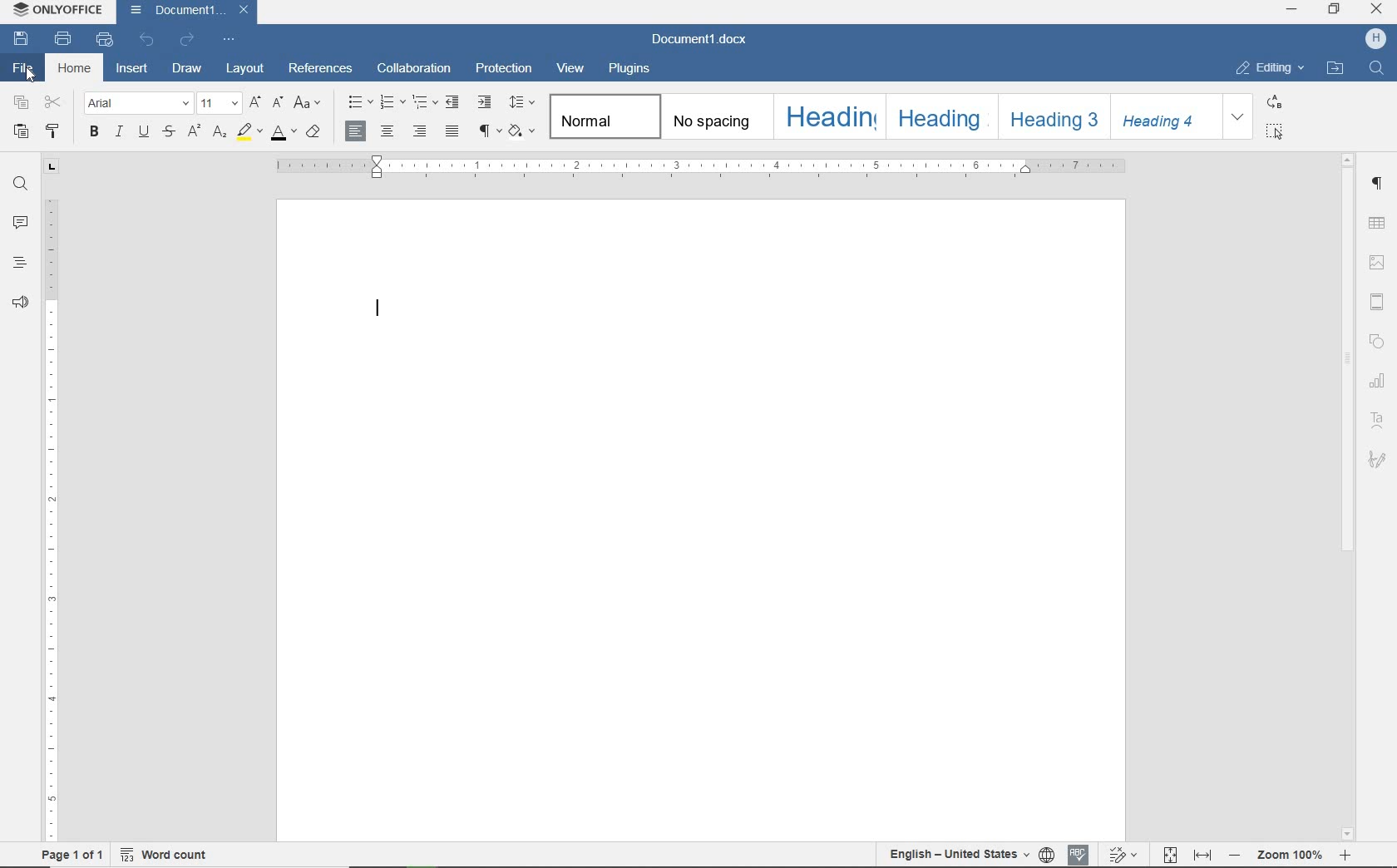 The image size is (1397, 868). Describe the element at coordinates (1379, 184) in the screenshot. I see `paragraph settings` at that location.